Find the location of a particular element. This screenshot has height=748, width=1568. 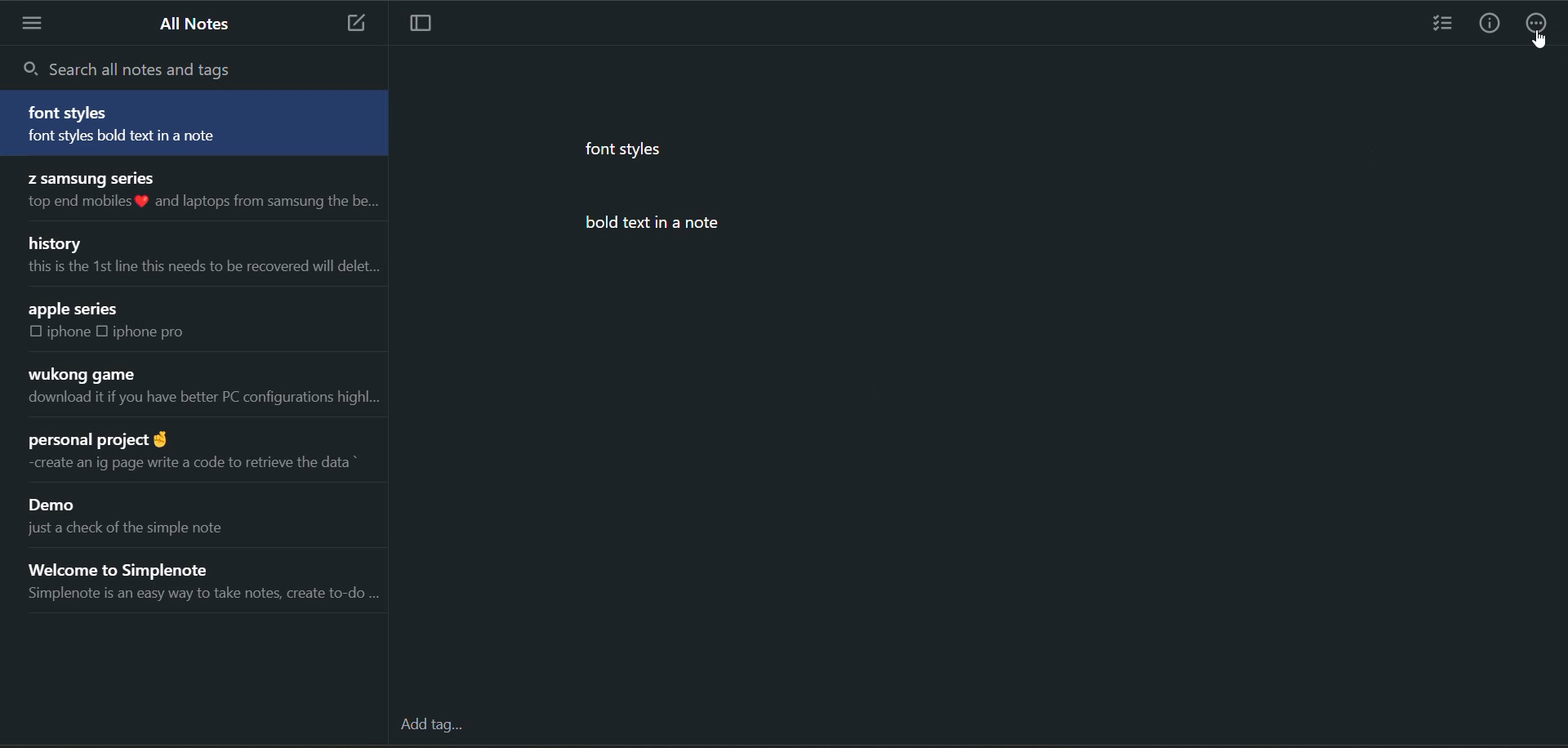

top end mobiles % and laptops from samsung the be... is located at coordinates (198, 203).